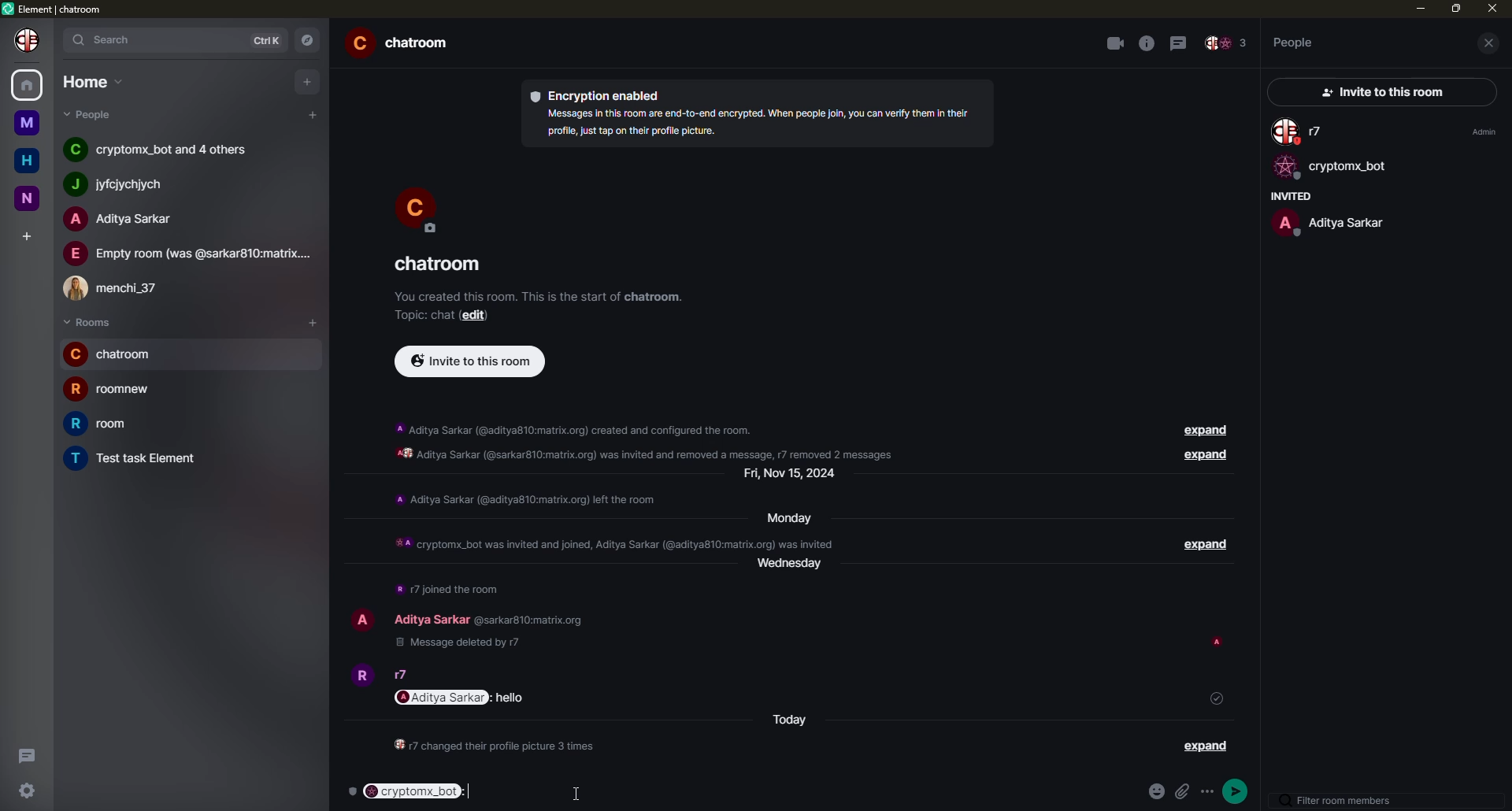 The height and width of the screenshot is (811, 1512). I want to click on people, so click(189, 254).